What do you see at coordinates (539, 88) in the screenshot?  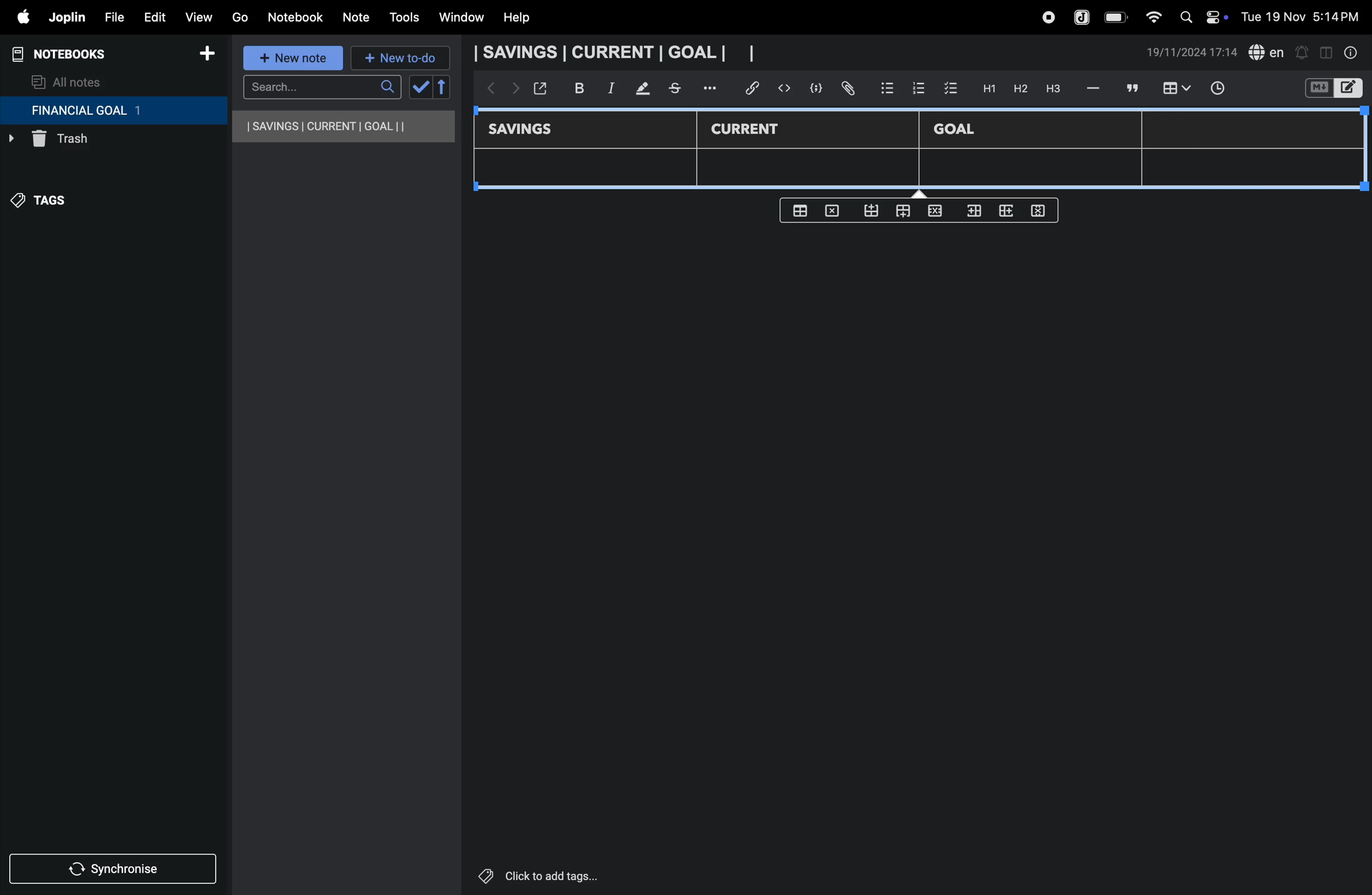 I see `open window` at bounding box center [539, 88].